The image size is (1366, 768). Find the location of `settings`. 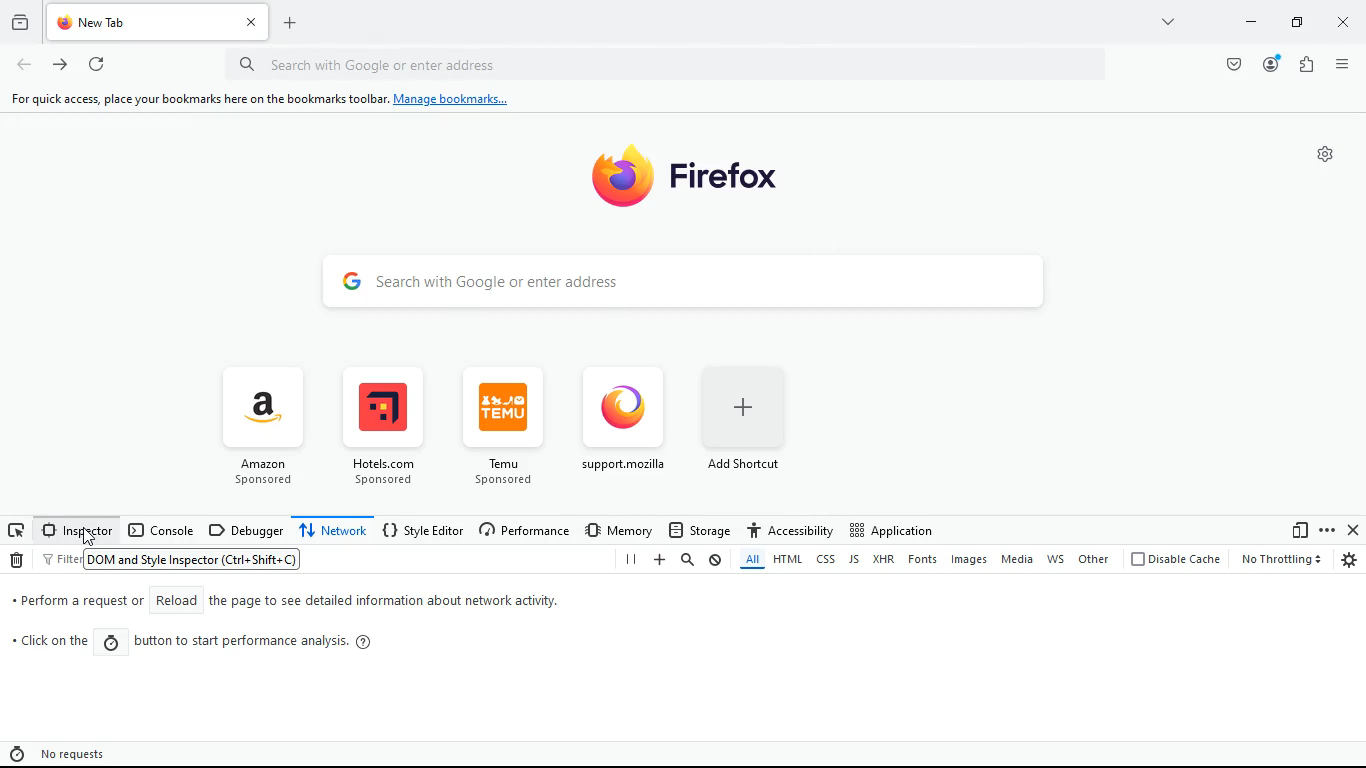

settings is located at coordinates (1350, 560).